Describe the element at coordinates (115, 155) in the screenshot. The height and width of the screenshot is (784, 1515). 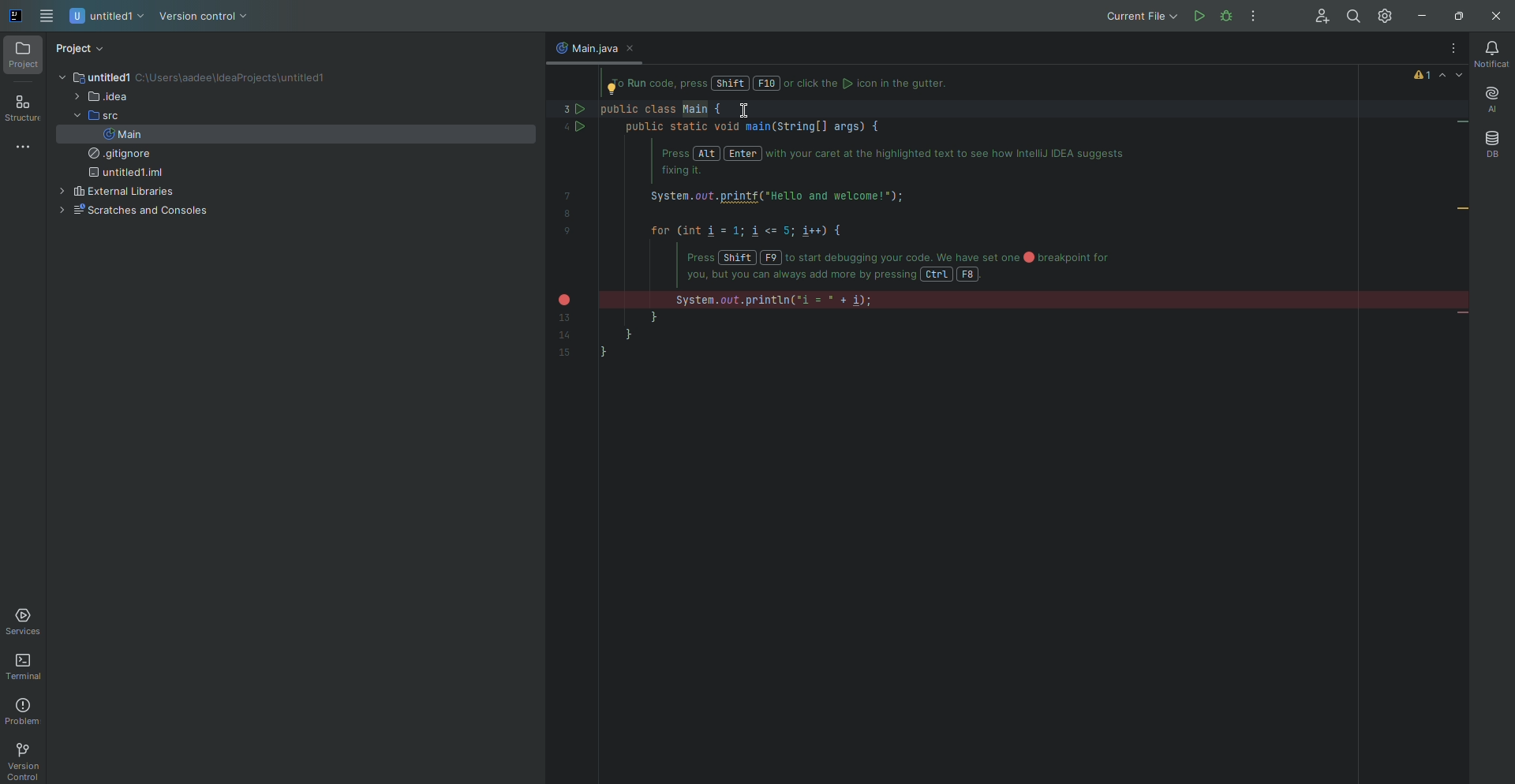
I see `.gitignore` at that location.